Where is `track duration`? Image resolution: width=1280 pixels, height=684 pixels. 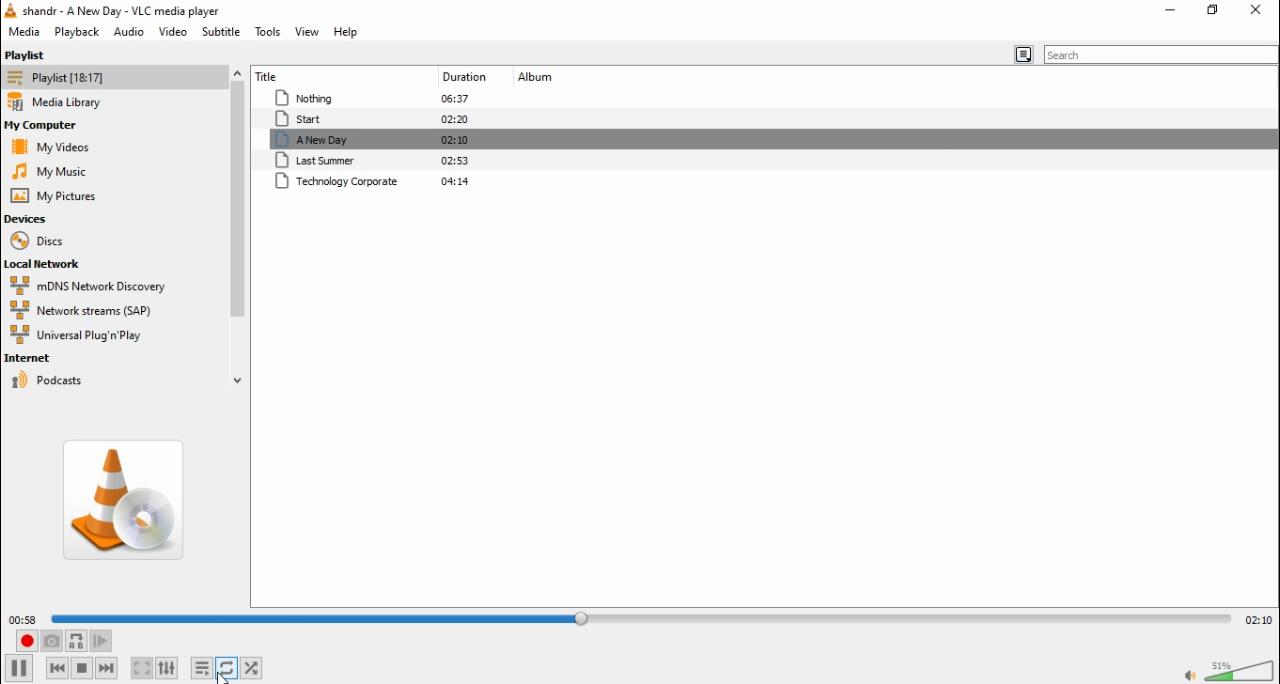
track duration is located at coordinates (460, 77).